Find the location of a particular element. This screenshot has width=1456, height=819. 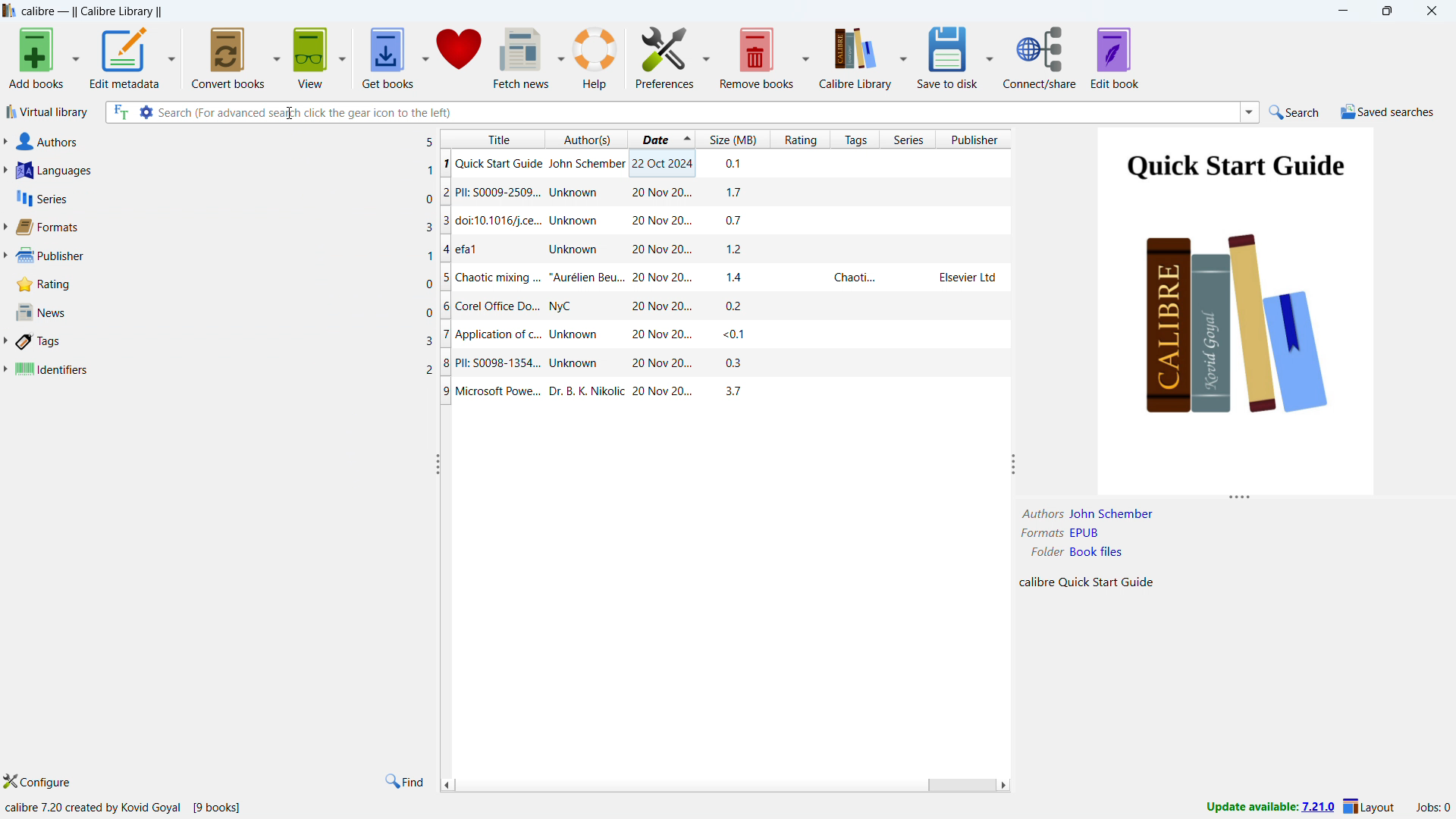

enter search string is located at coordinates (698, 112).